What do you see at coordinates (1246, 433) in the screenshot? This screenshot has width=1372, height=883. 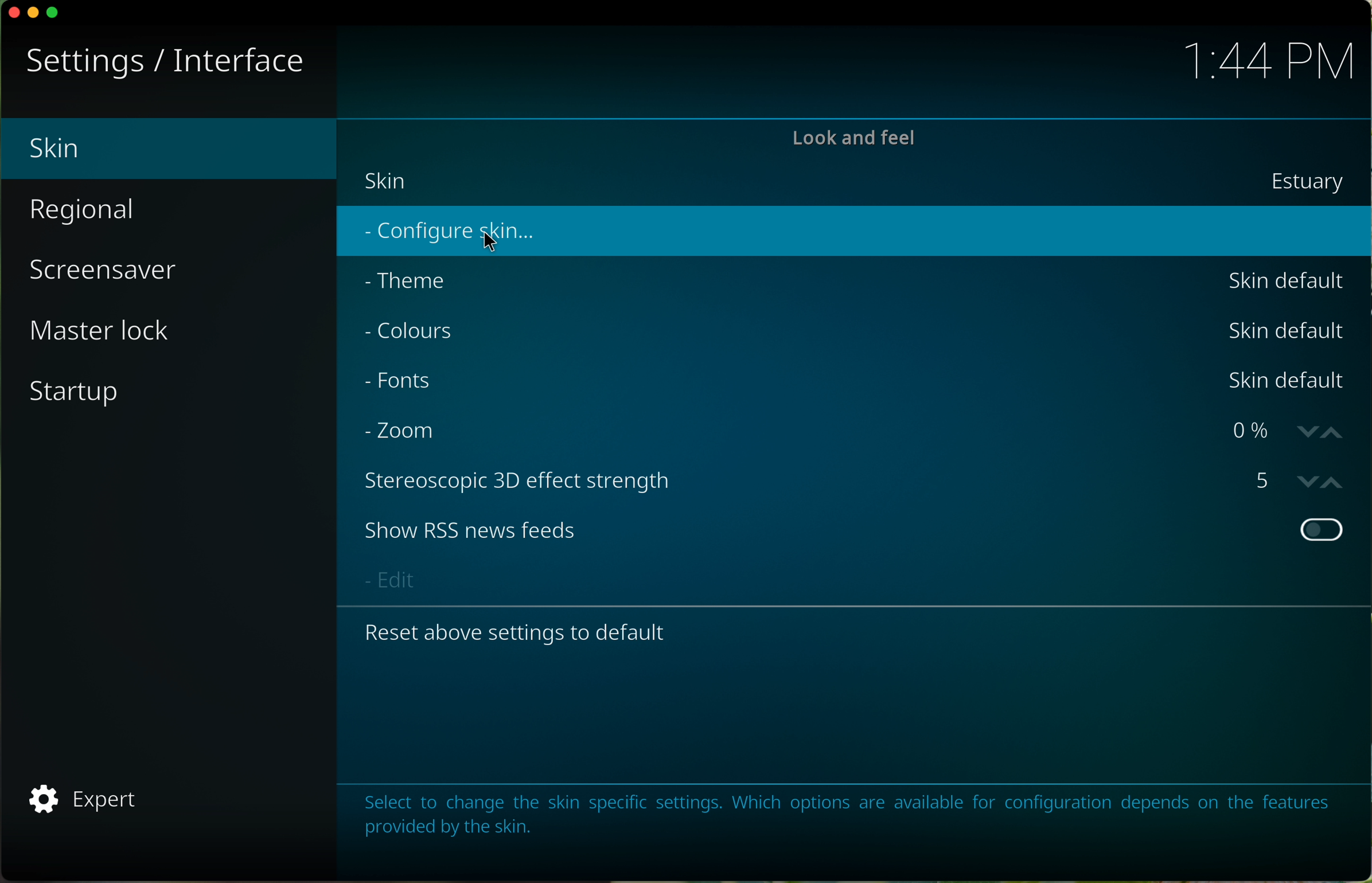 I see `0%` at bounding box center [1246, 433].